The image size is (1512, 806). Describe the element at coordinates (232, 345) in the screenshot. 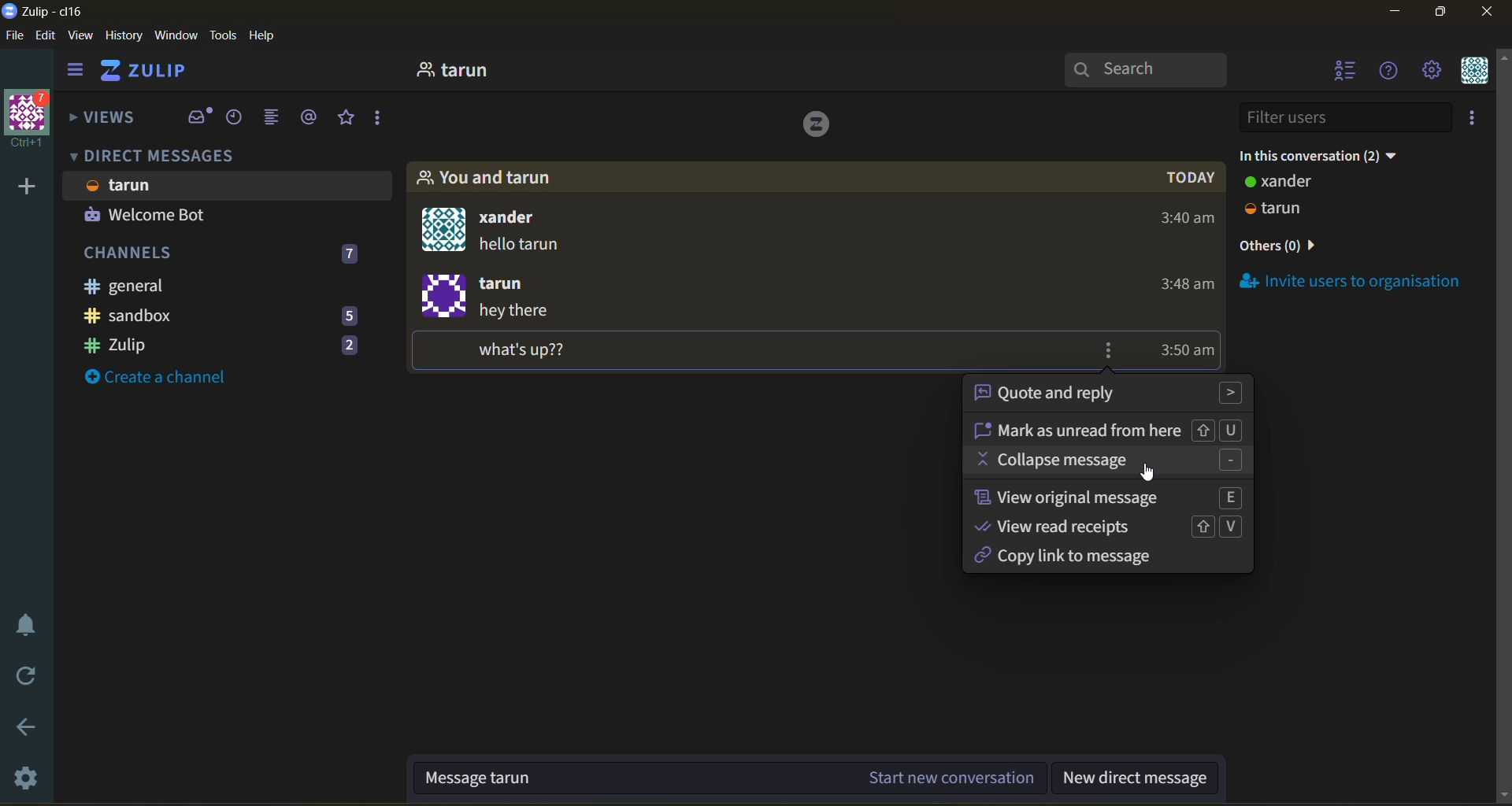

I see `zulip` at that location.